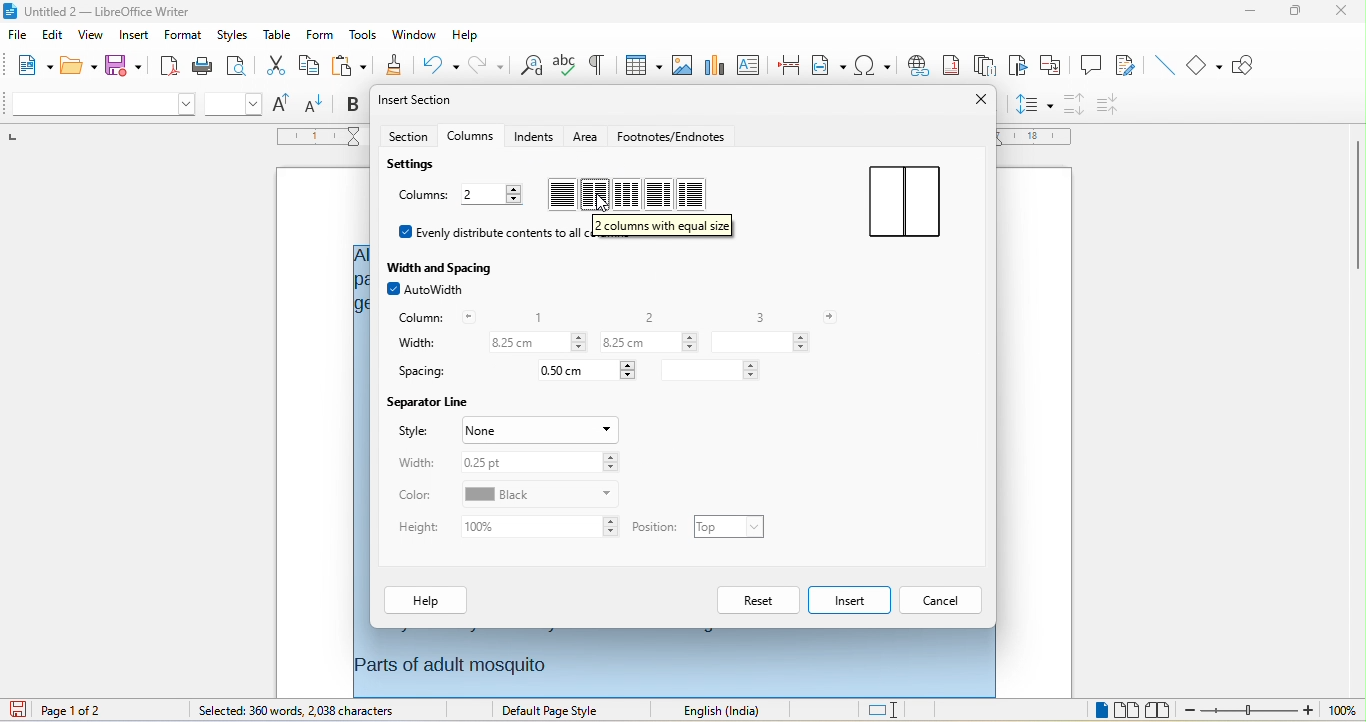  Describe the element at coordinates (417, 165) in the screenshot. I see `settings` at that location.